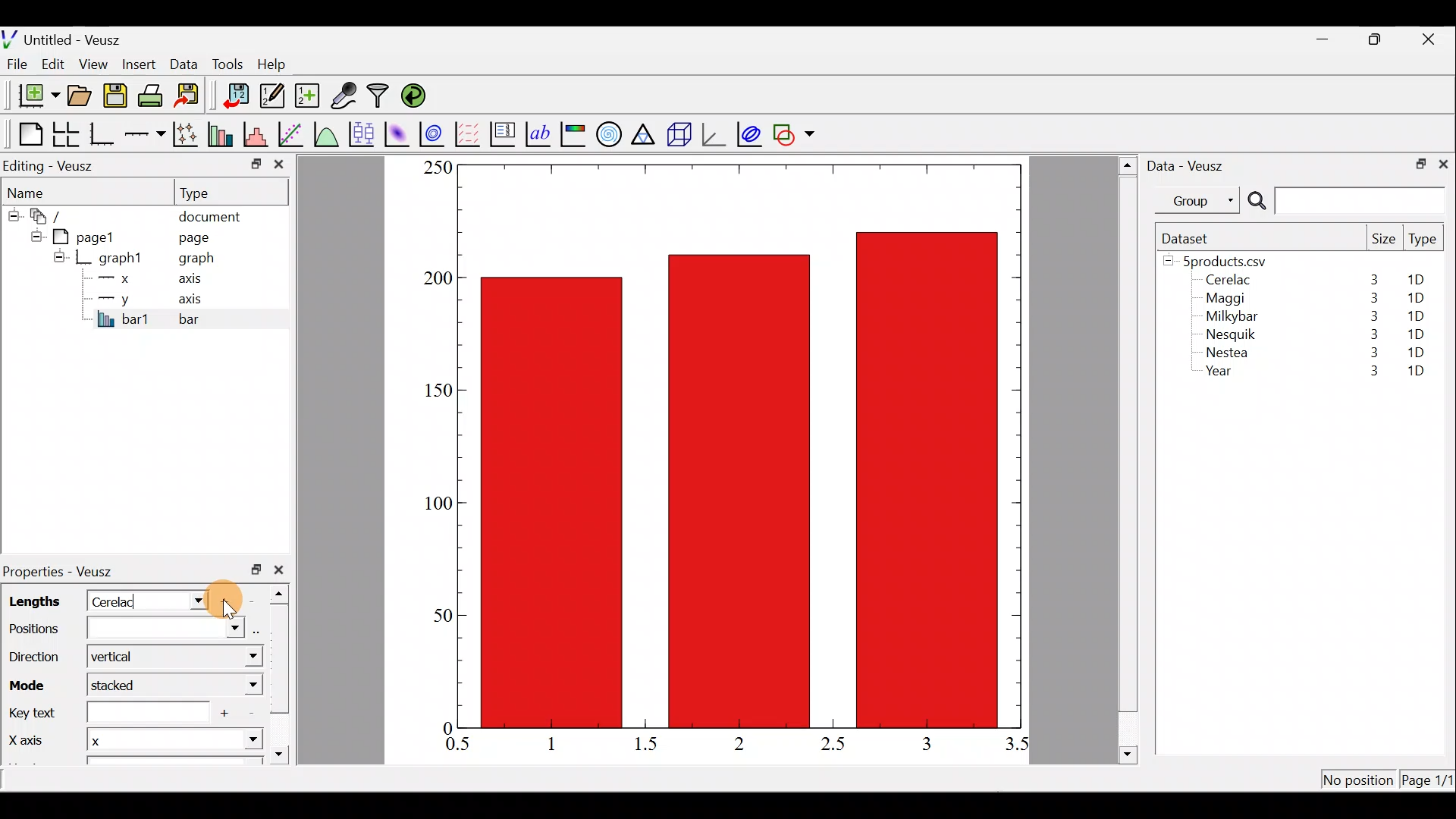 Image resolution: width=1456 pixels, height=819 pixels. Describe the element at coordinates (1189, 164) in the screenshot. I see `Data - Veusz` at that location.